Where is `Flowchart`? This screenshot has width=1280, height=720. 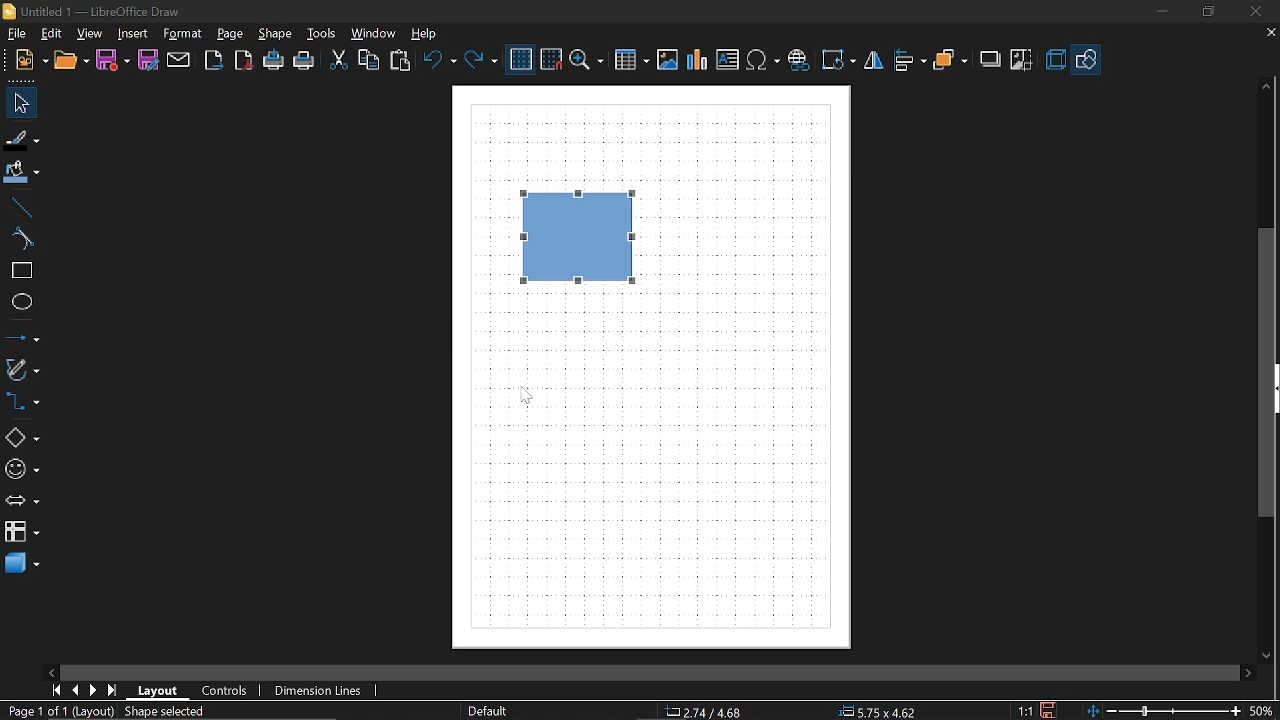
Flowchart is located at coordinates (22, 531).